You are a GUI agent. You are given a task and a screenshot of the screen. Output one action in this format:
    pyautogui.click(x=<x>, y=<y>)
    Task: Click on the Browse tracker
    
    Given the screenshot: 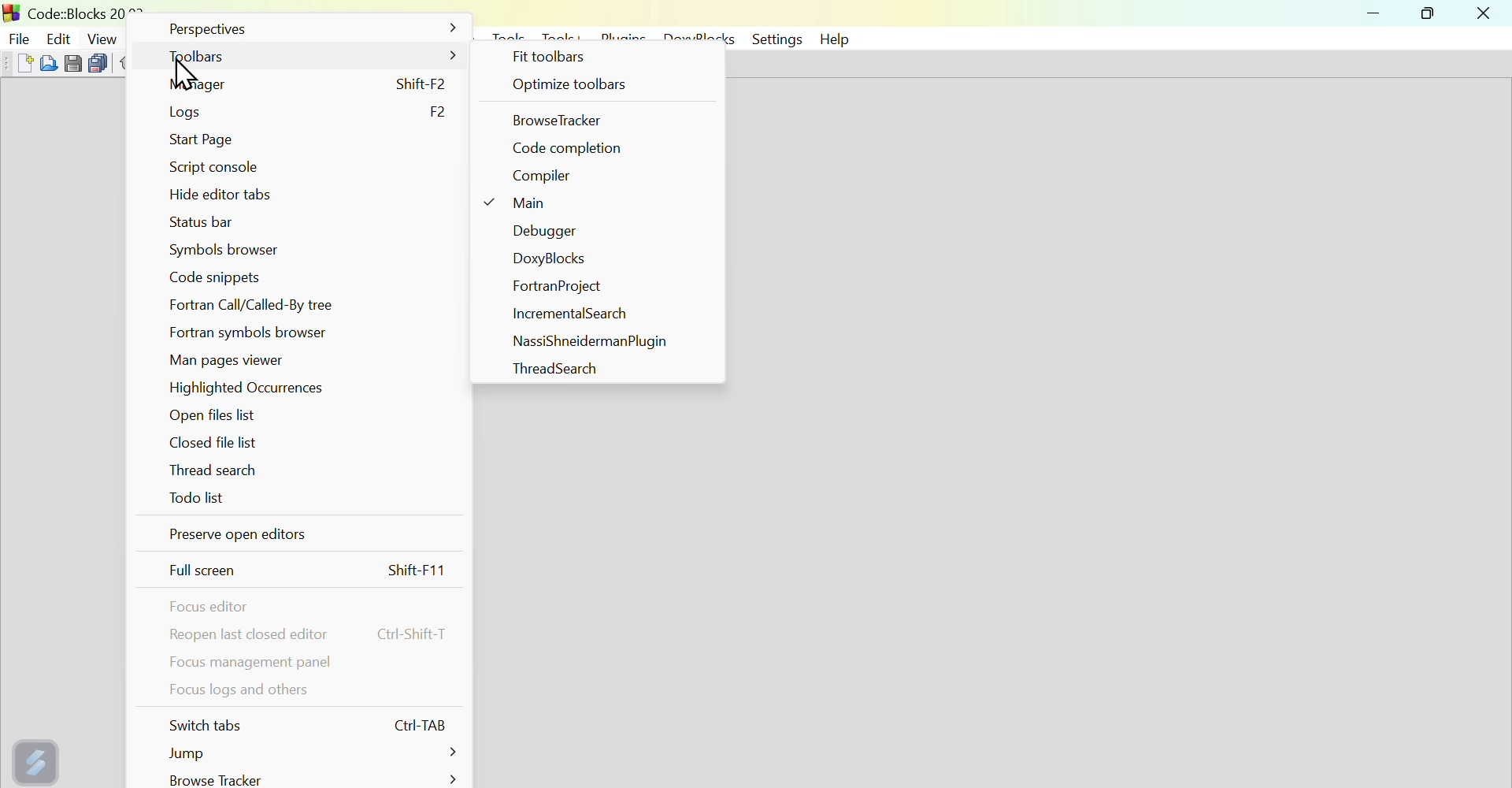 What is the action you would take?
    pyautogui.click(x=309, y=779)
    